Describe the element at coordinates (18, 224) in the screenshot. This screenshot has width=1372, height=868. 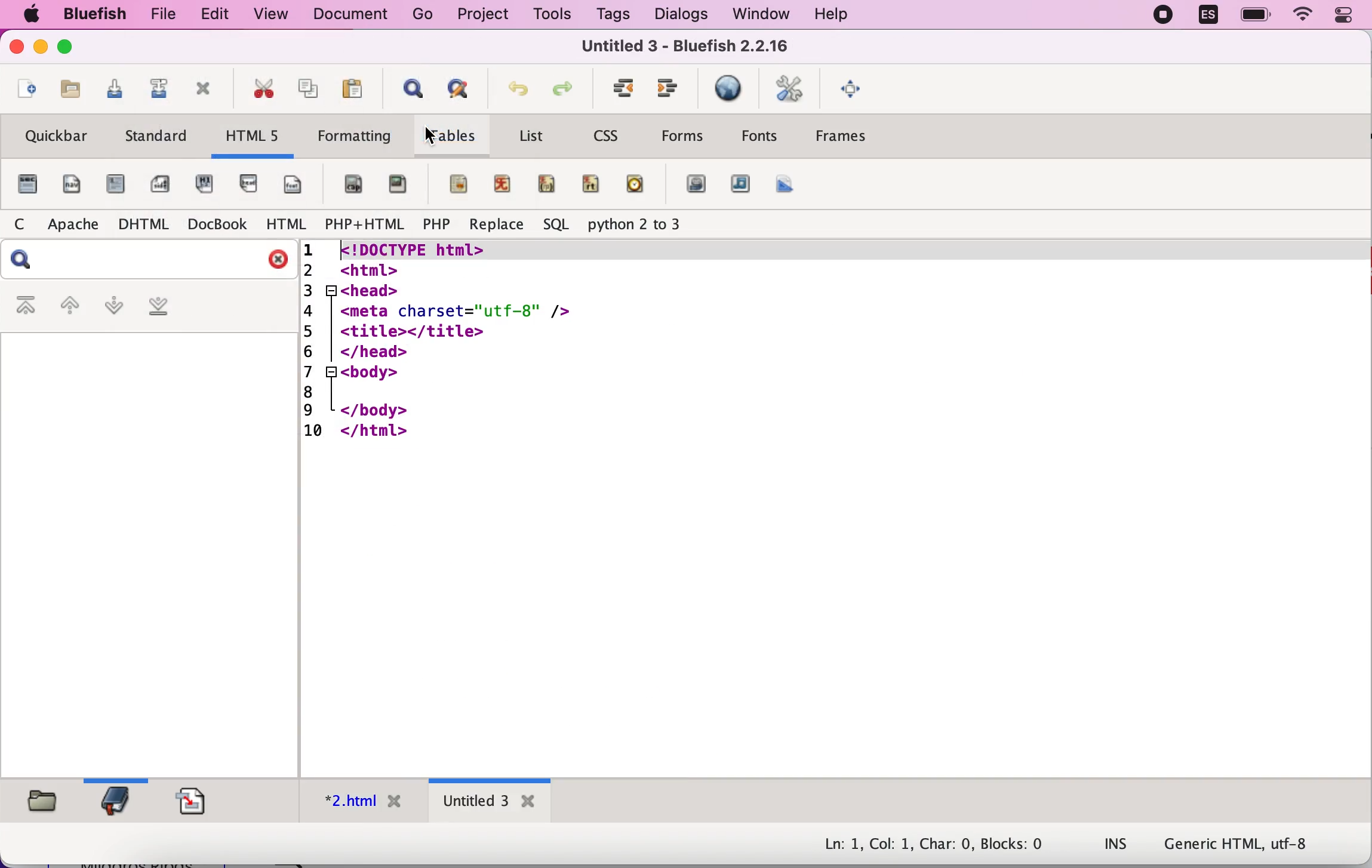
I see `c` at that location.